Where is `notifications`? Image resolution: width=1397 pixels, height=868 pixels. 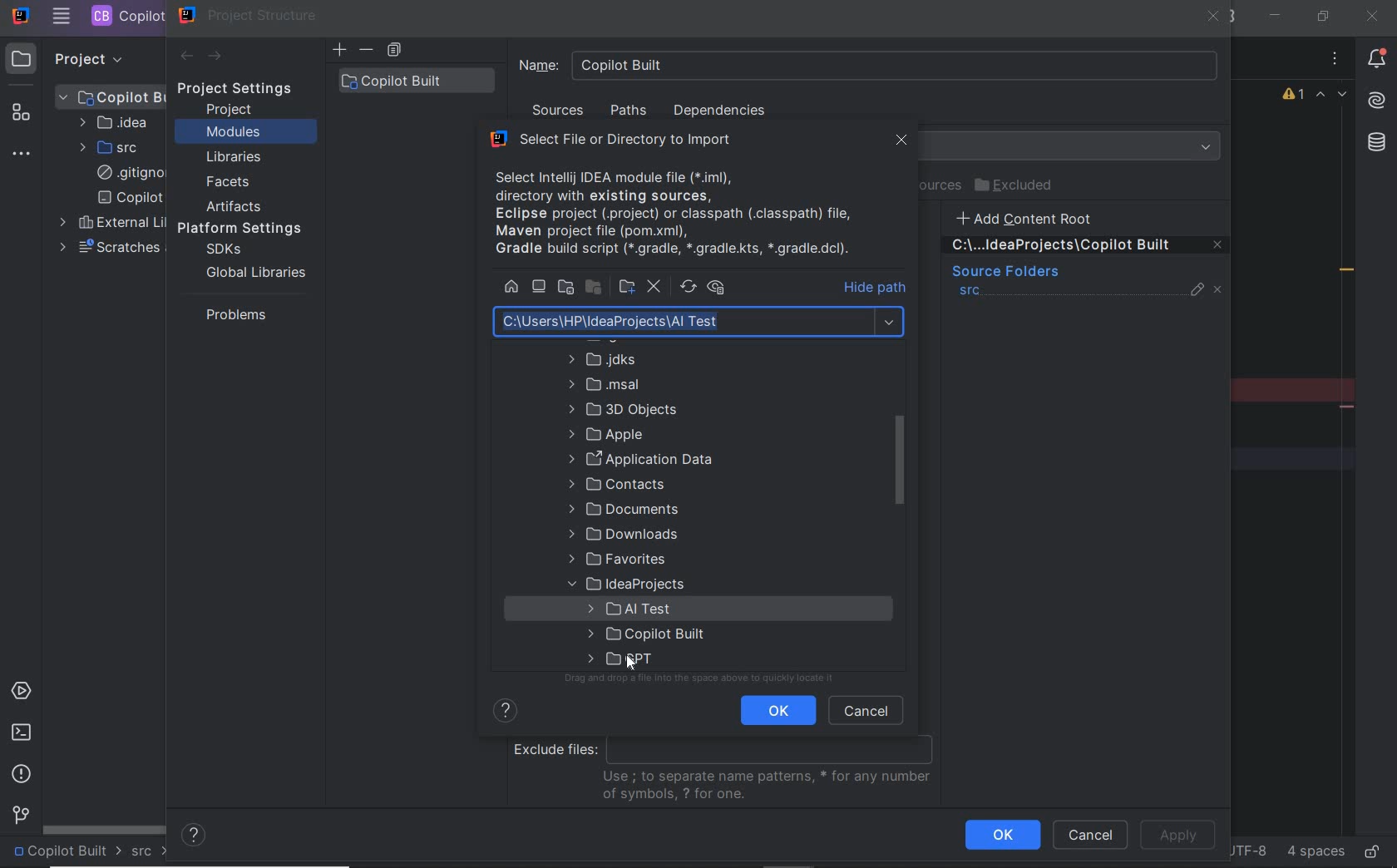 notifications is located at coordinates (1377, 61).